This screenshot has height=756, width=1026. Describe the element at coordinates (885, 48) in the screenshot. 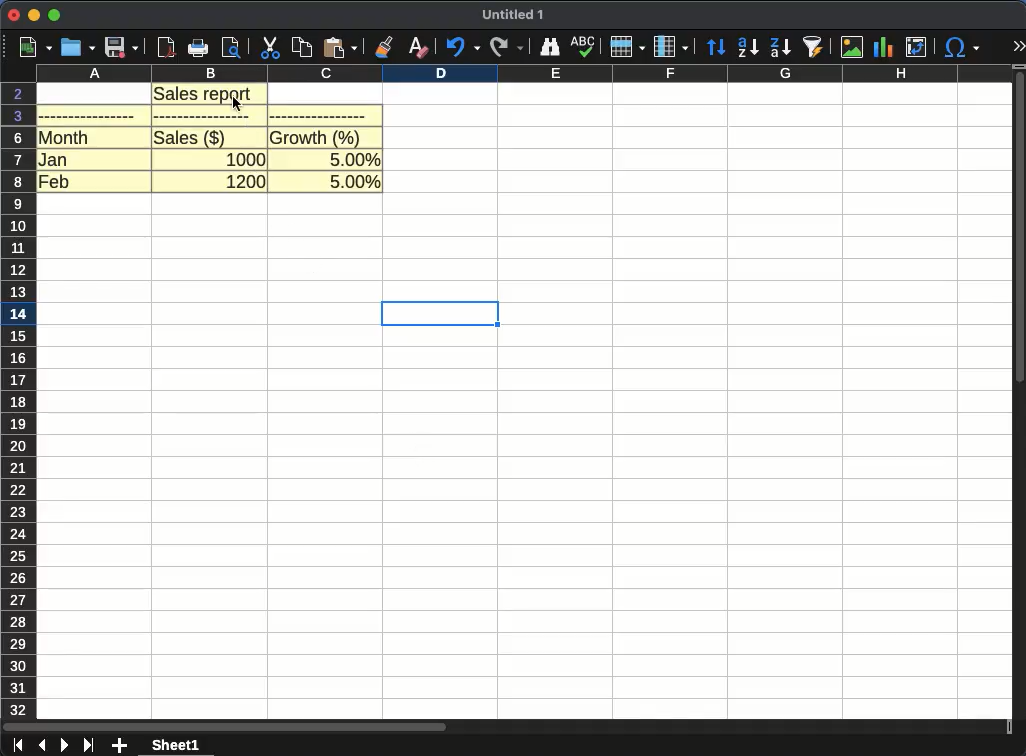

I see `chart` at that location.